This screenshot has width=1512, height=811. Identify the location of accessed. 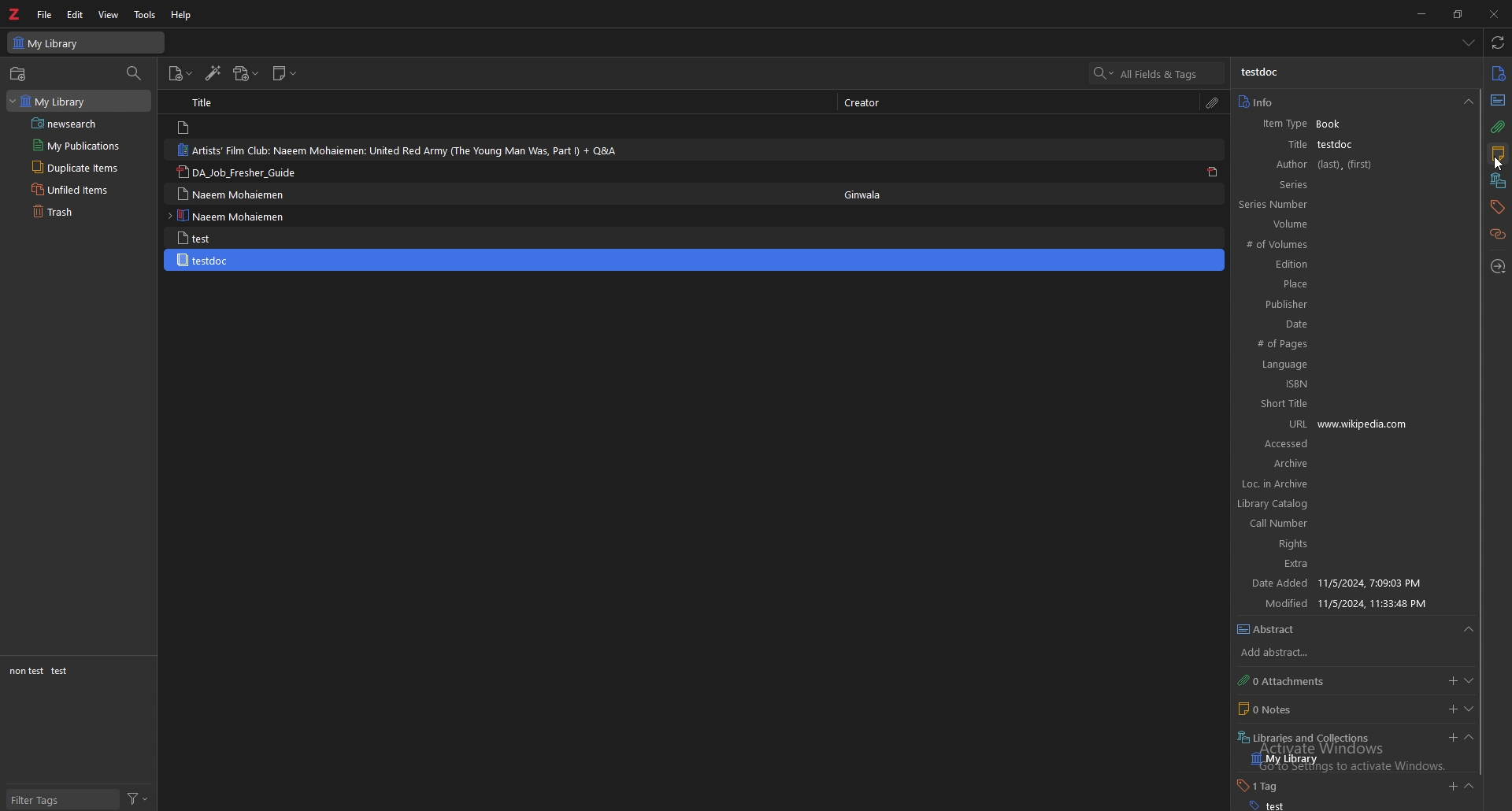
(1345, 446).